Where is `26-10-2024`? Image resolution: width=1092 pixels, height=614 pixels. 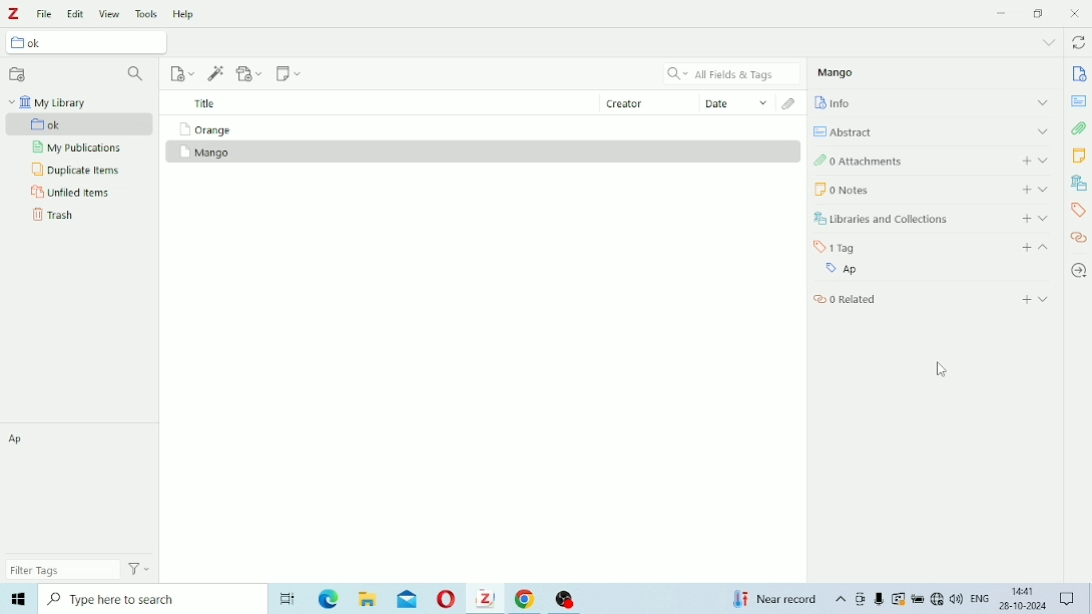 26-10-2024 is located at coordinates (1026, 608).